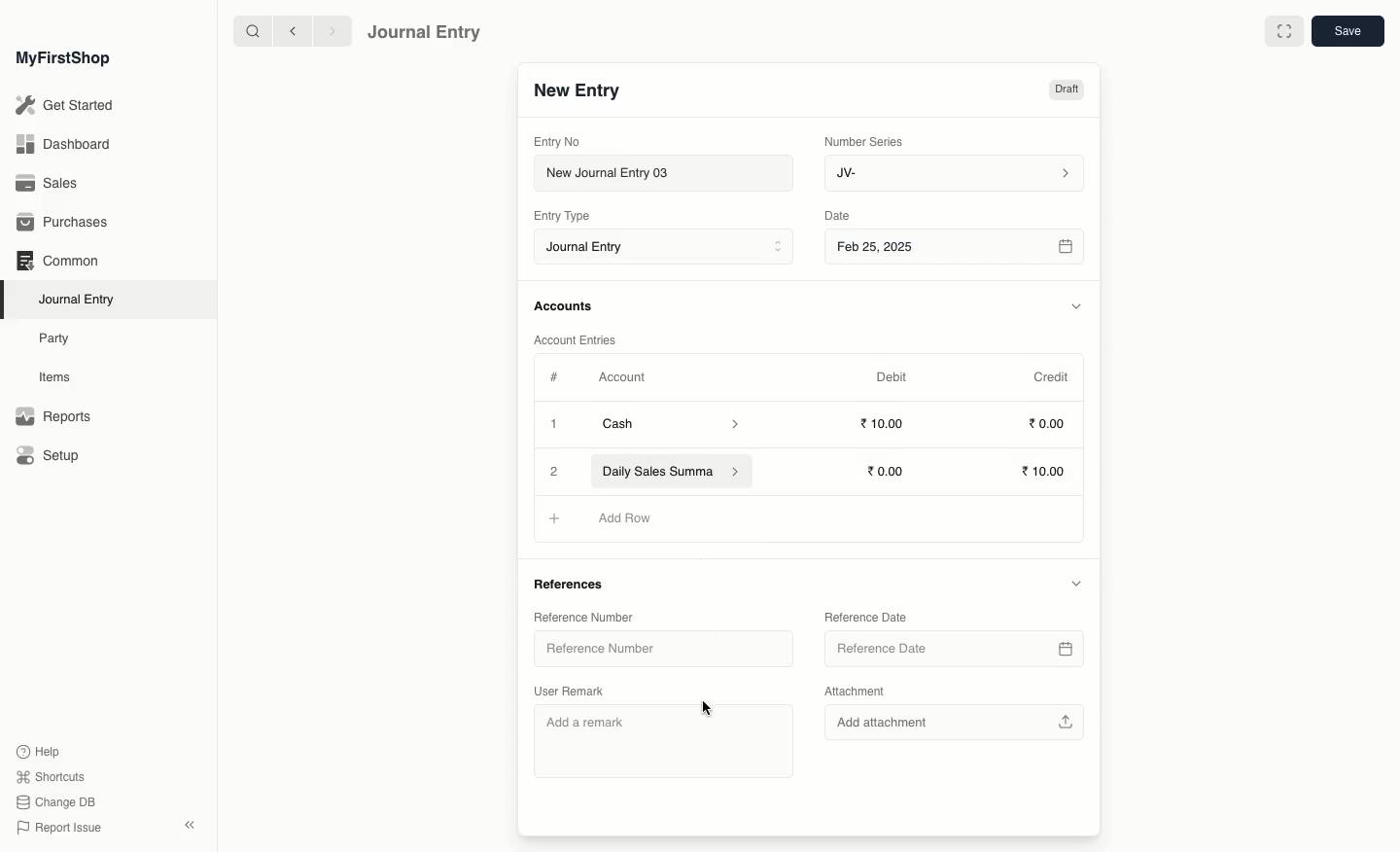 This screenshot has height=852, width=1400. Describe the element at coordinates (952, 173) in the screenshot. I see `JV-` at that location.